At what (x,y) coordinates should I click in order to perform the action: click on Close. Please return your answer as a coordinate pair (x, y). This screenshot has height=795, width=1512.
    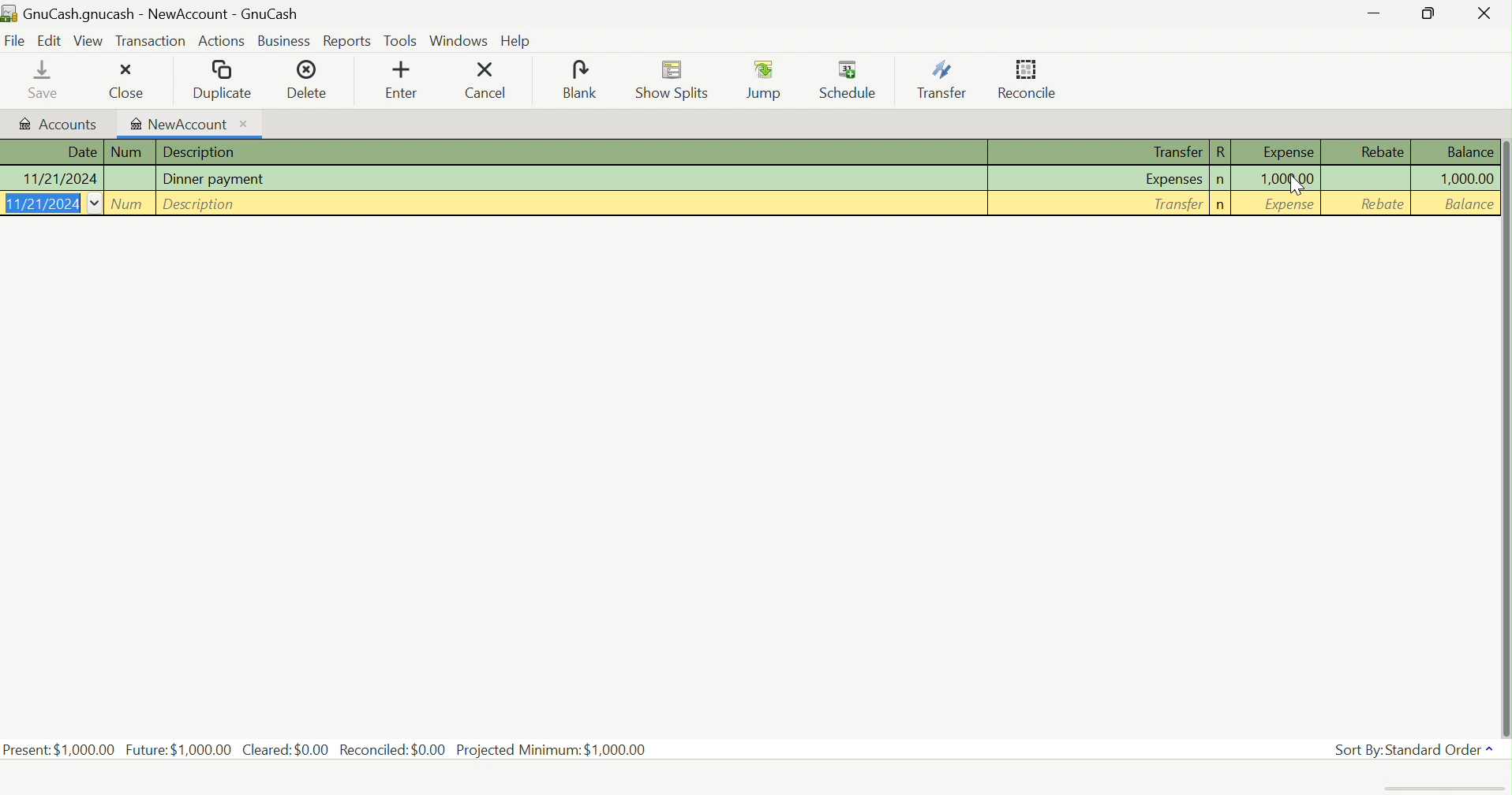
    Looking at the image, I should click on (121, 80).